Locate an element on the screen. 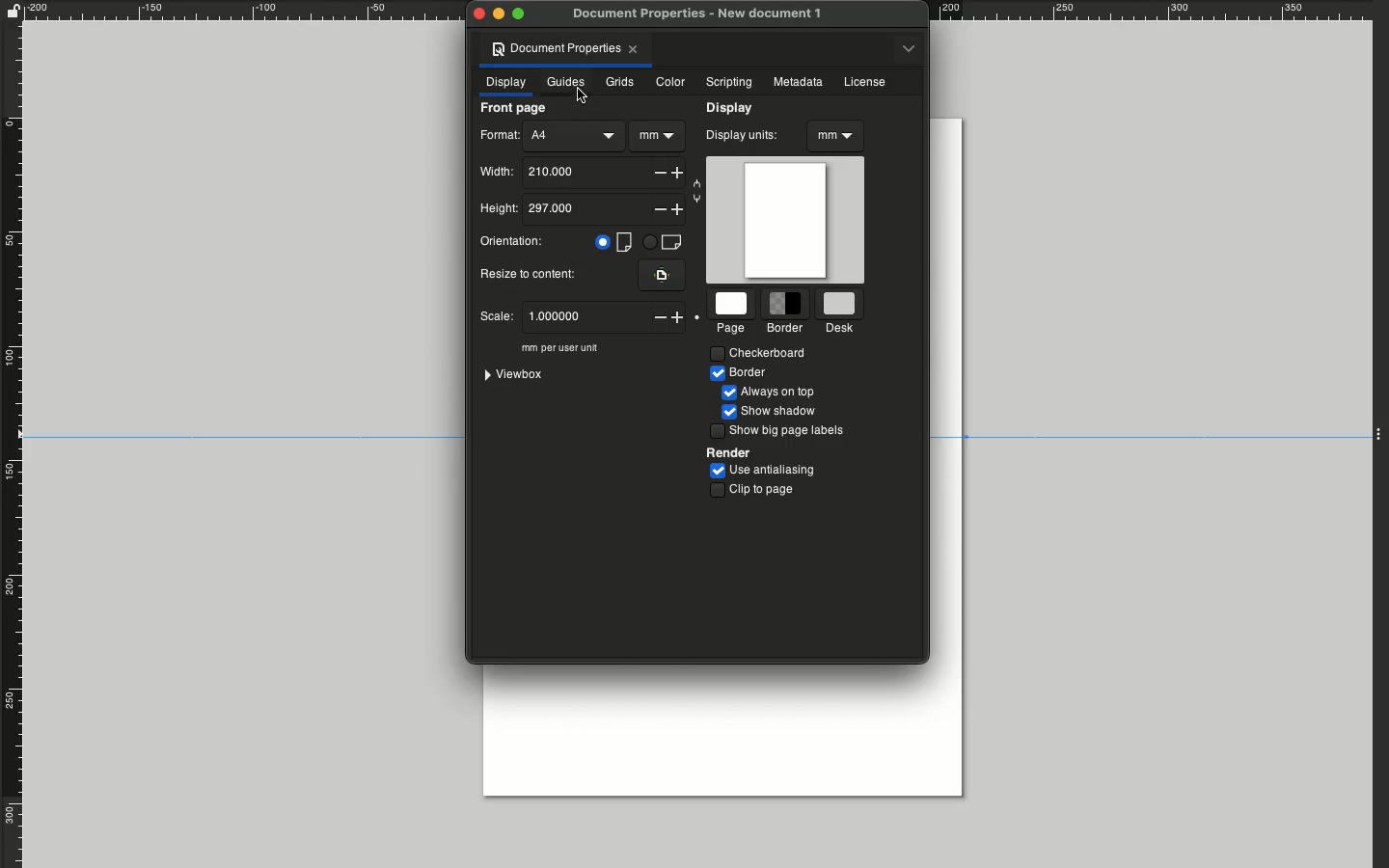 The width and height of the screenshot is (1389, 868). Options is located at coordinates (910, 47).